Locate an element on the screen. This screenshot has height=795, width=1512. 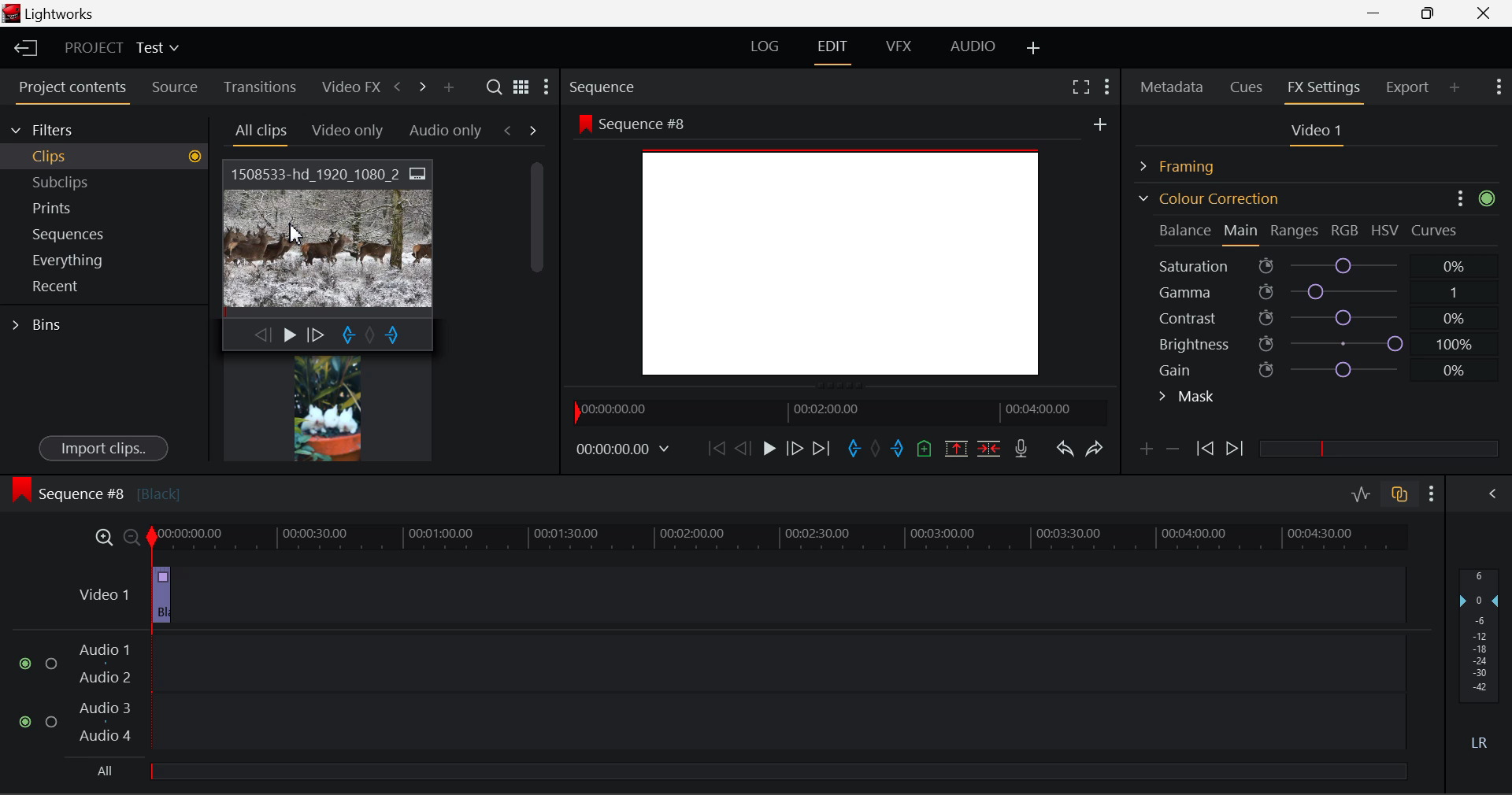
Project Title is located at coordinates (122, 49).